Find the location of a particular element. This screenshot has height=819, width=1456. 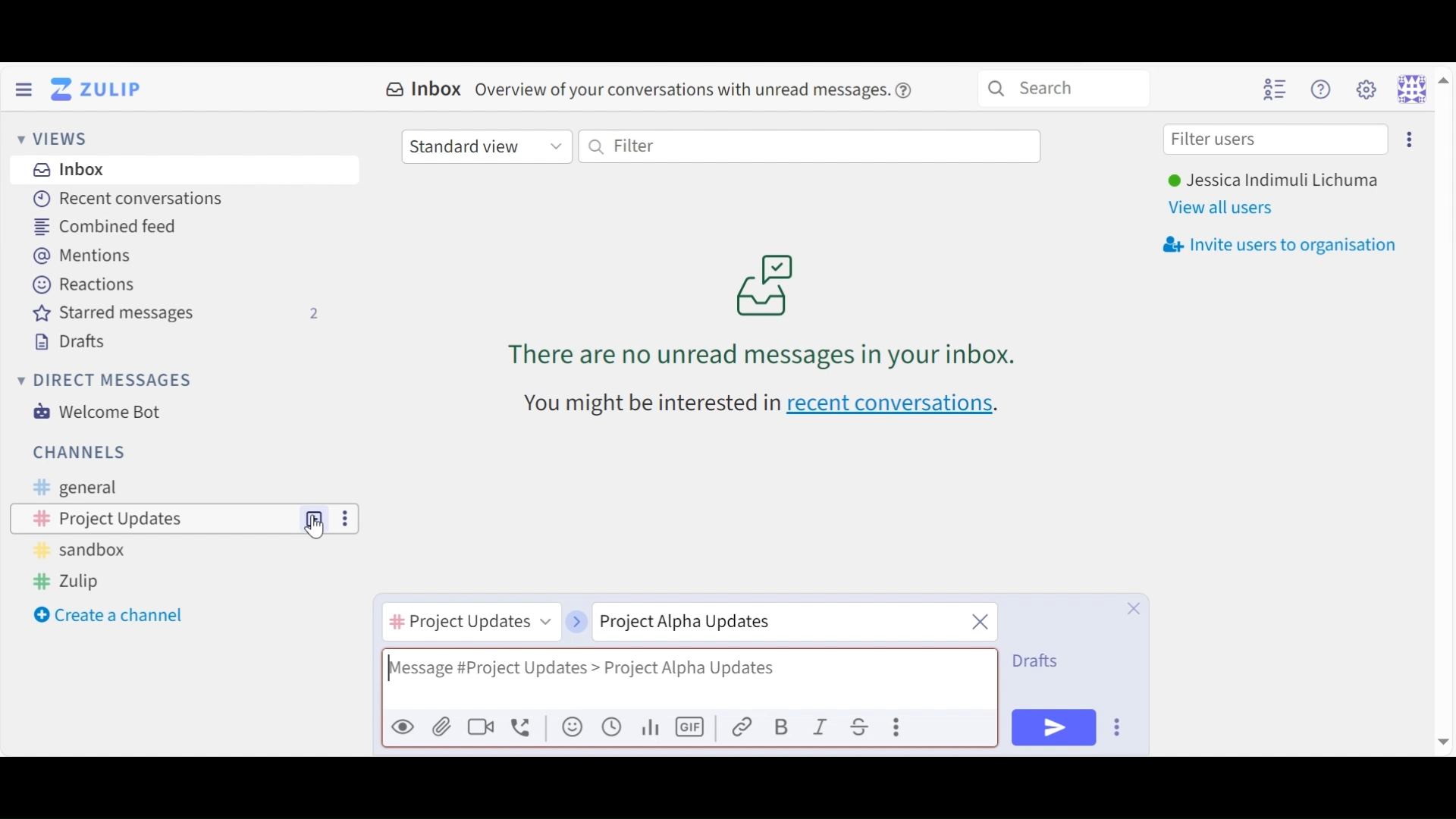

View all users is located at coordinates (1226, 207).